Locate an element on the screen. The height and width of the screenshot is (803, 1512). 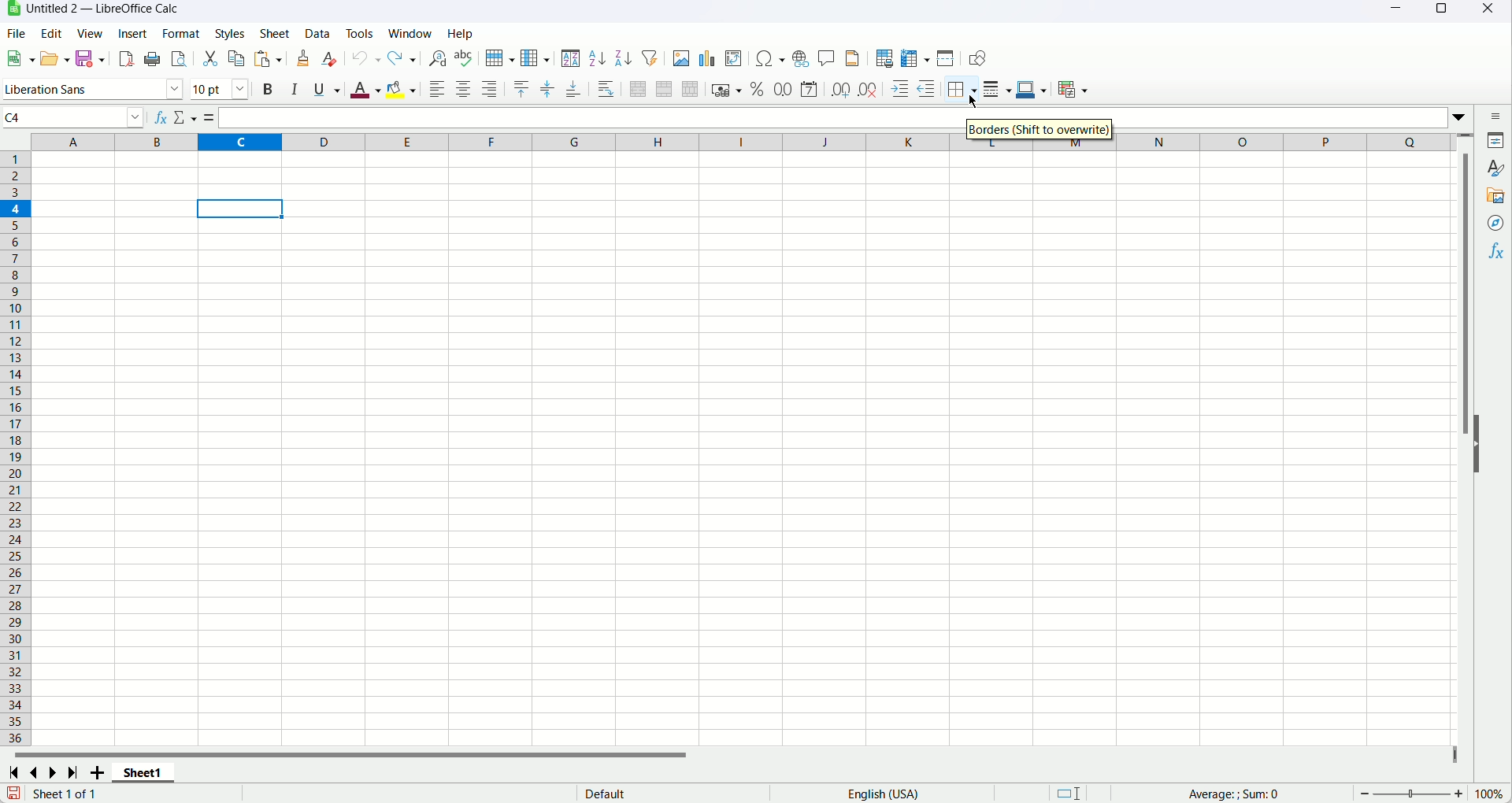
Insert symbol is located at coordinates (772, 57).